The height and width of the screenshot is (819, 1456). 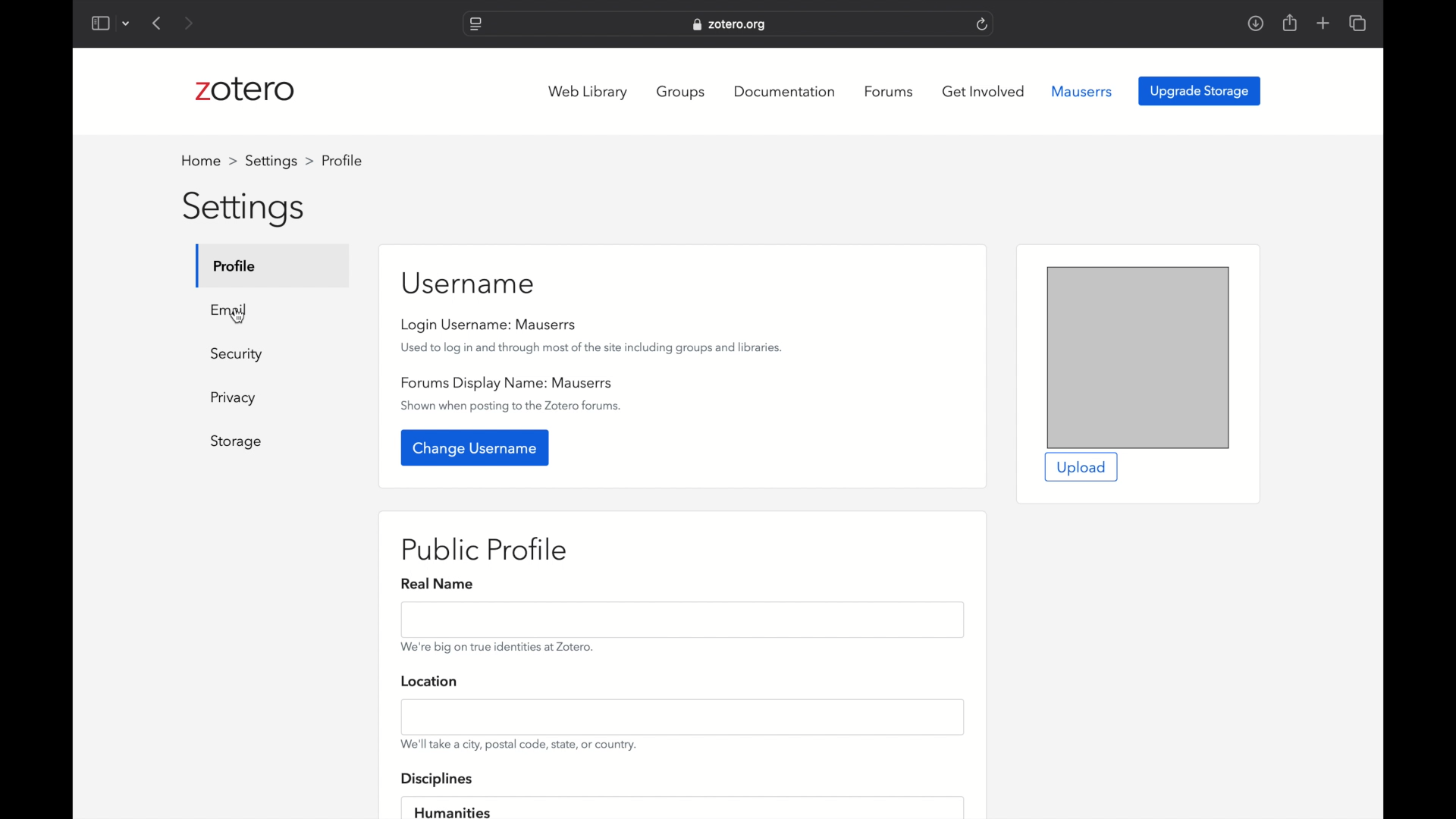 I want to click on website settings, so click(x=475, y=24).